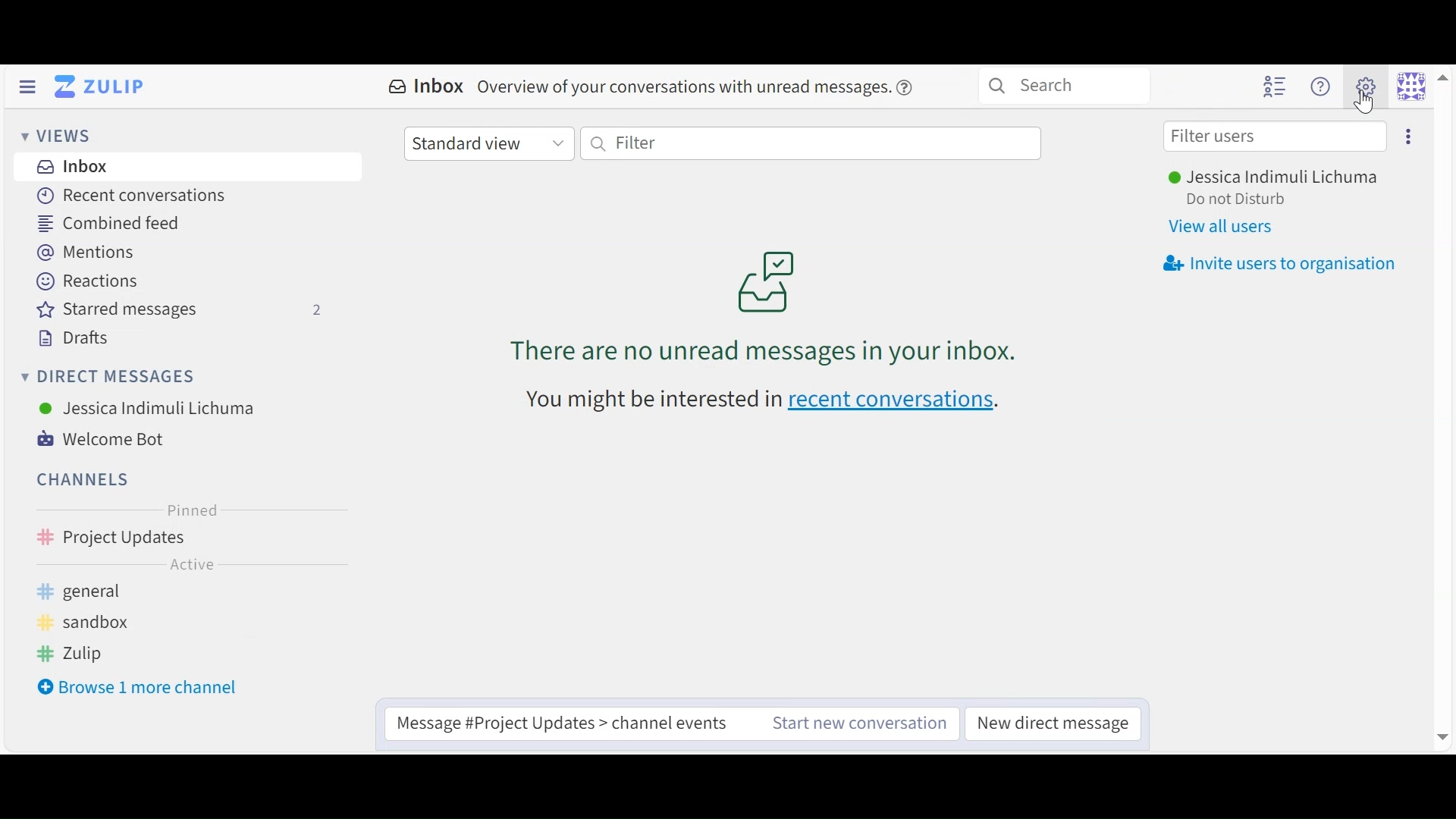 The width and height of the screenshot is (1456, 819). I want to click on general, so click(84, 591).